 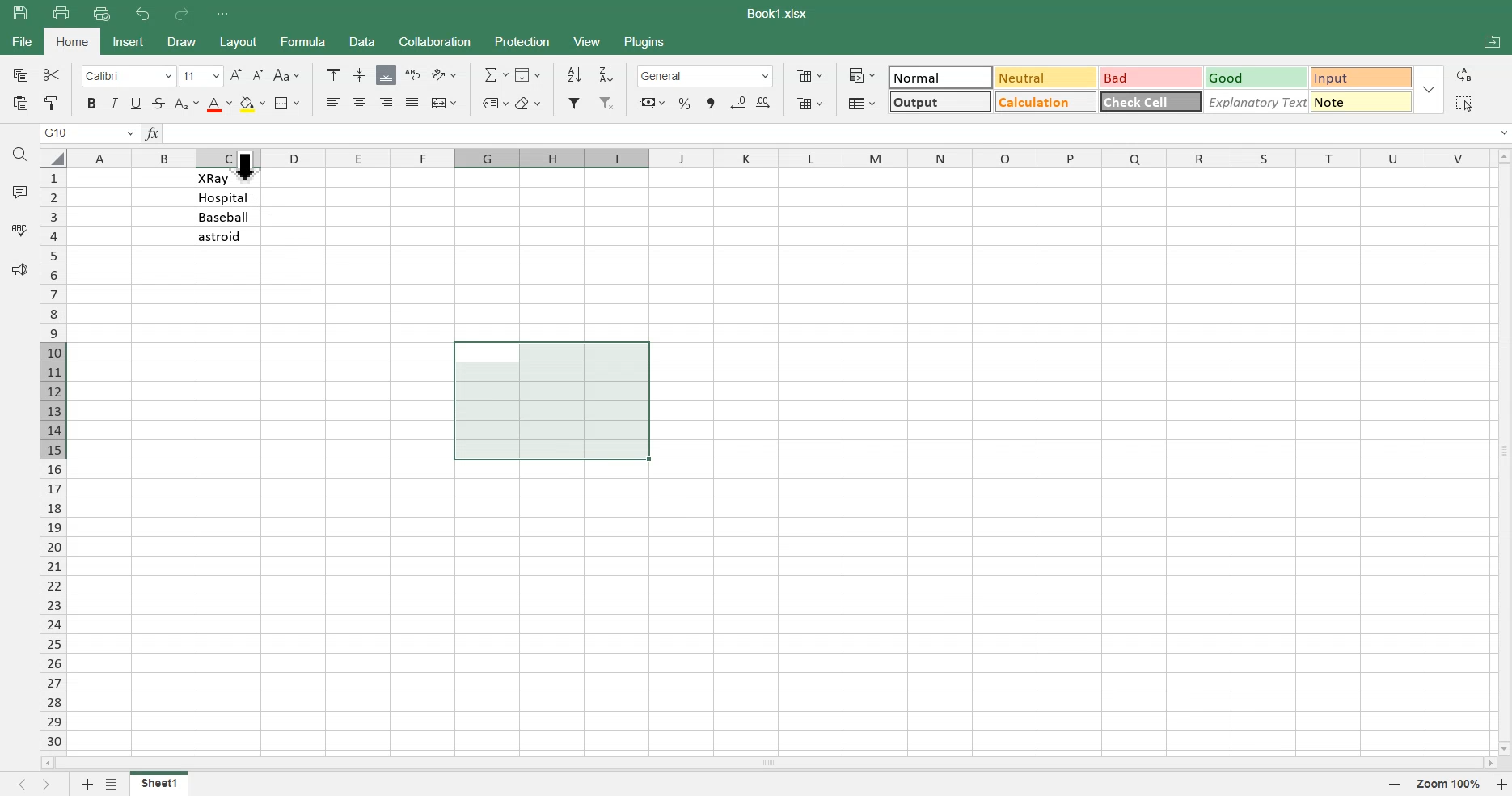 I want to click on Replace, so click(x=1467, y=74).